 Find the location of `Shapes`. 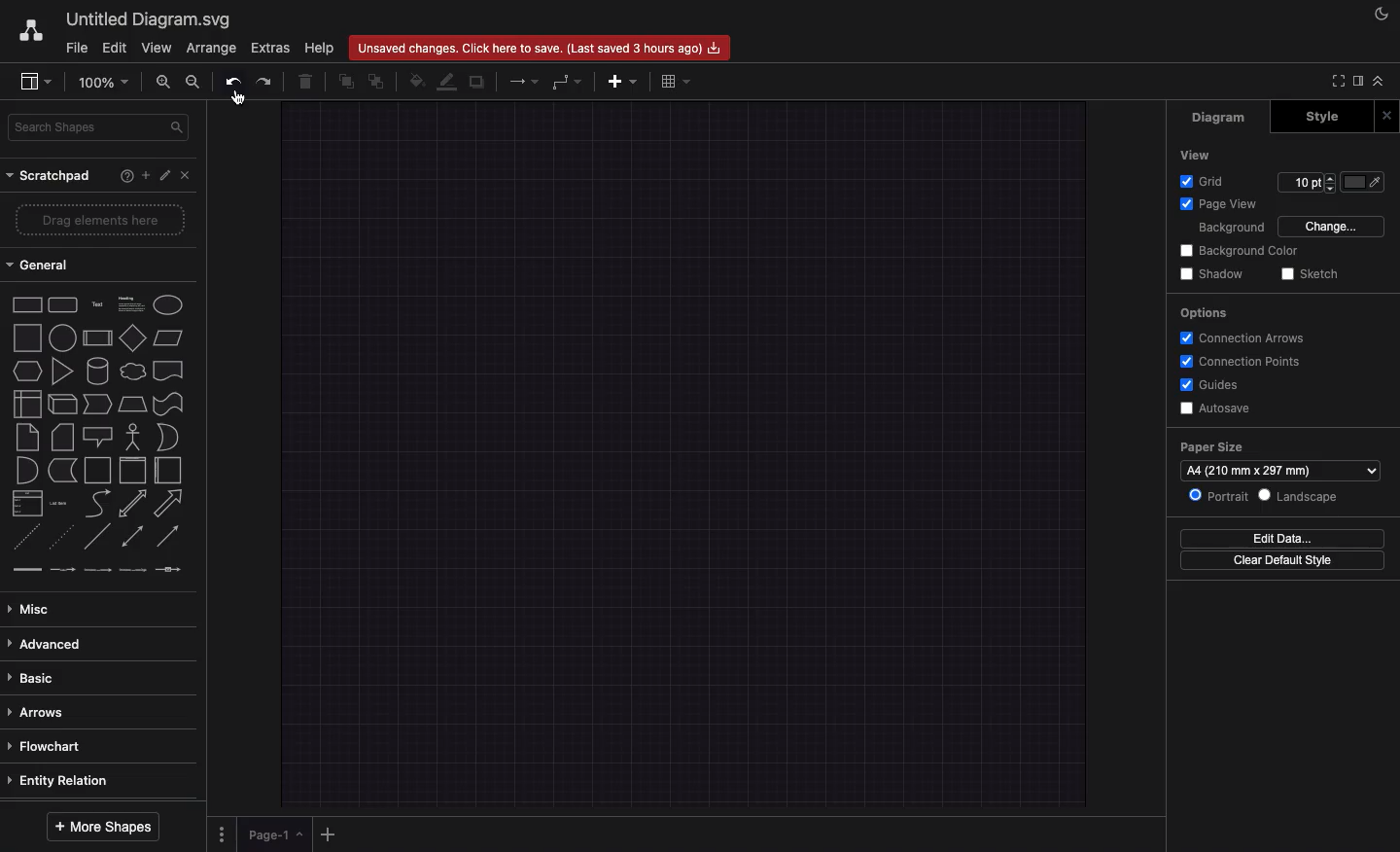

Shapes is located at coordinates (96, 439).